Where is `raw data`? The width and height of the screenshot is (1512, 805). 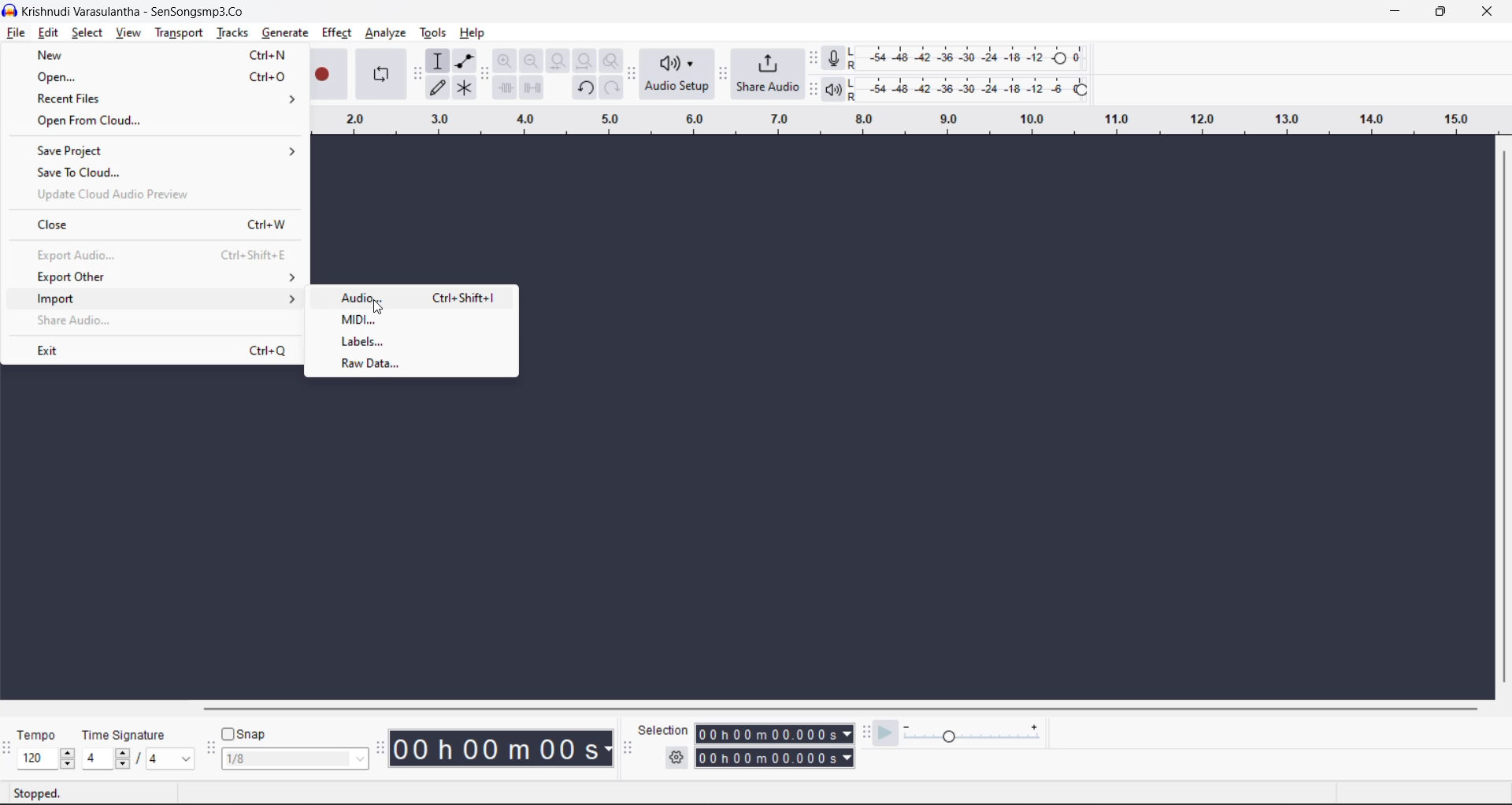 raw data is located at coordinates (418, 363).